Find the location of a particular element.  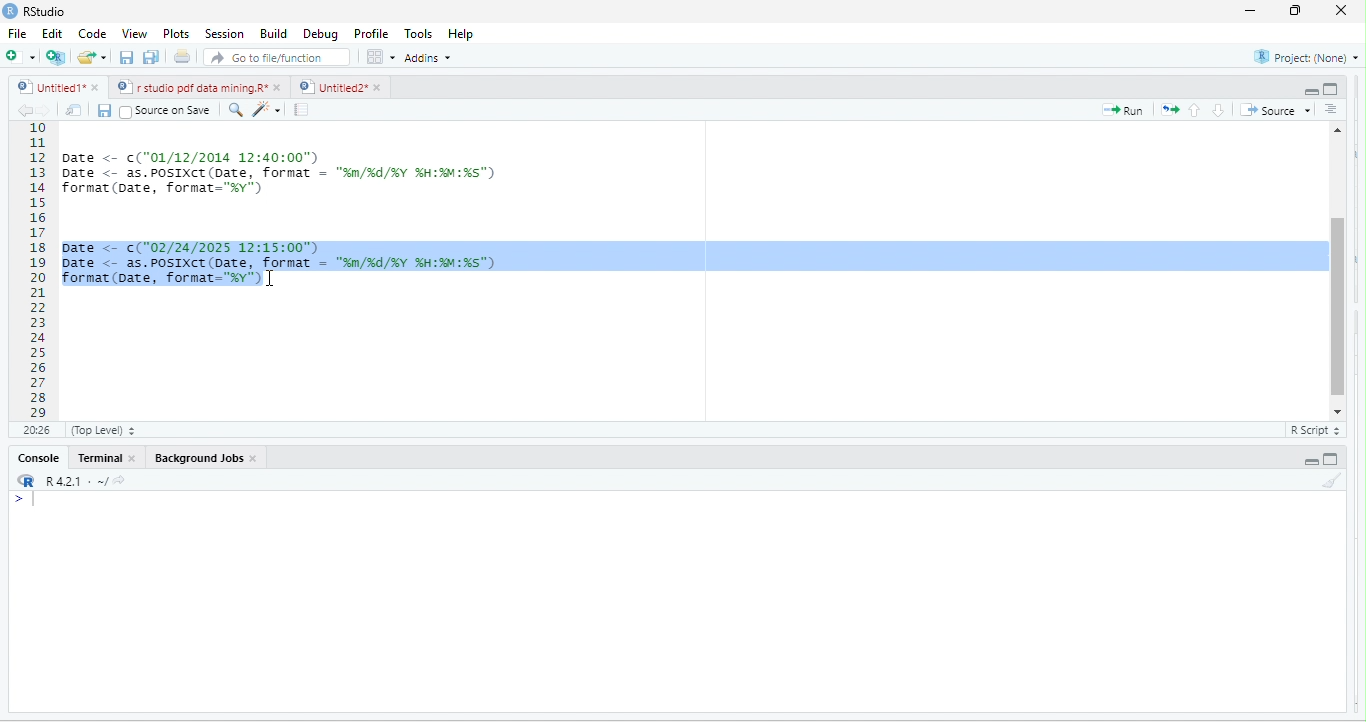

vertical scroll bar is located at coordinates (1337, 268).